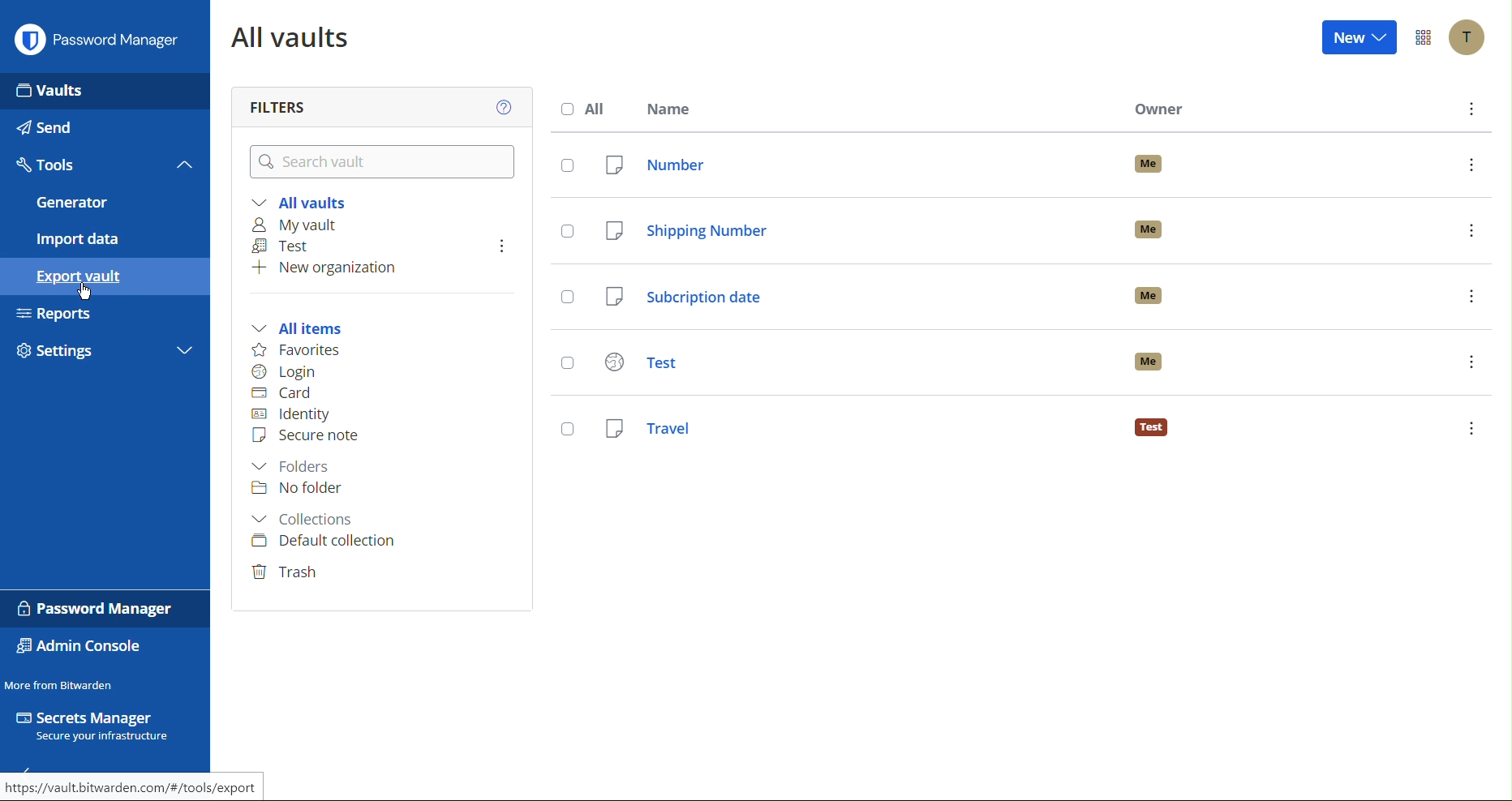  Describe the element at coordinates (584, 105) in the screenshot. I see `All` at that location.